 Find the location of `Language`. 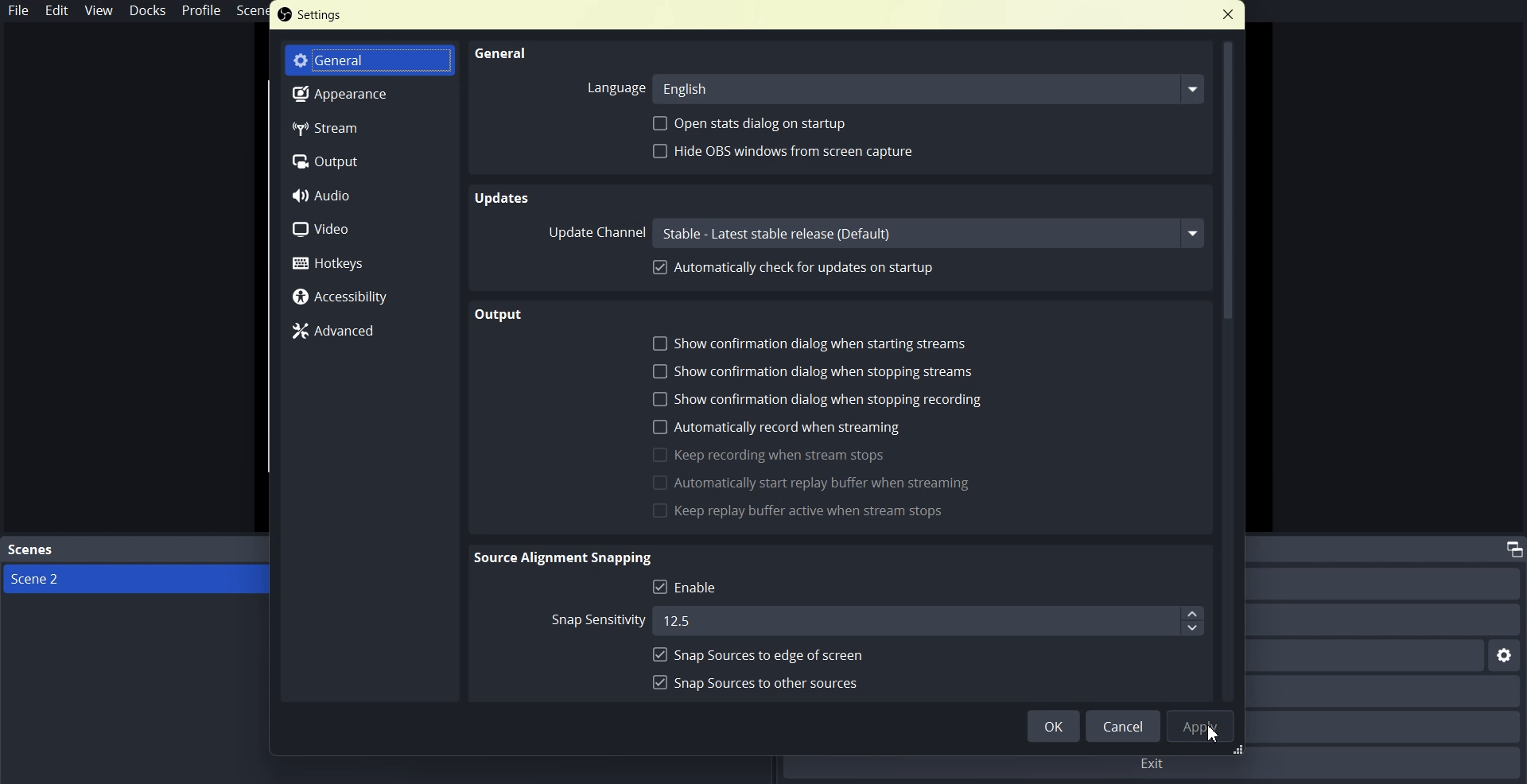

Language is located at coordinates (612, 89).